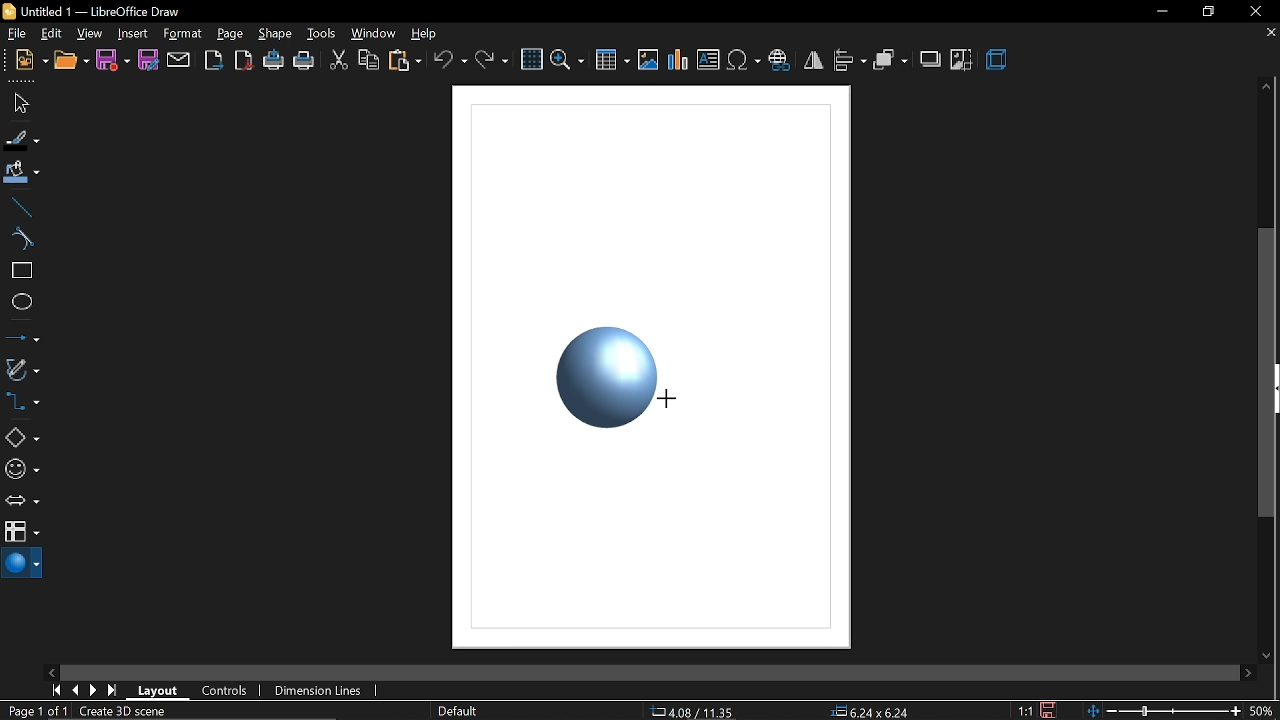  What do you see at coordinates (648, 59) in the screenshot?
I see `insert image` at bounding box center [648, 59].